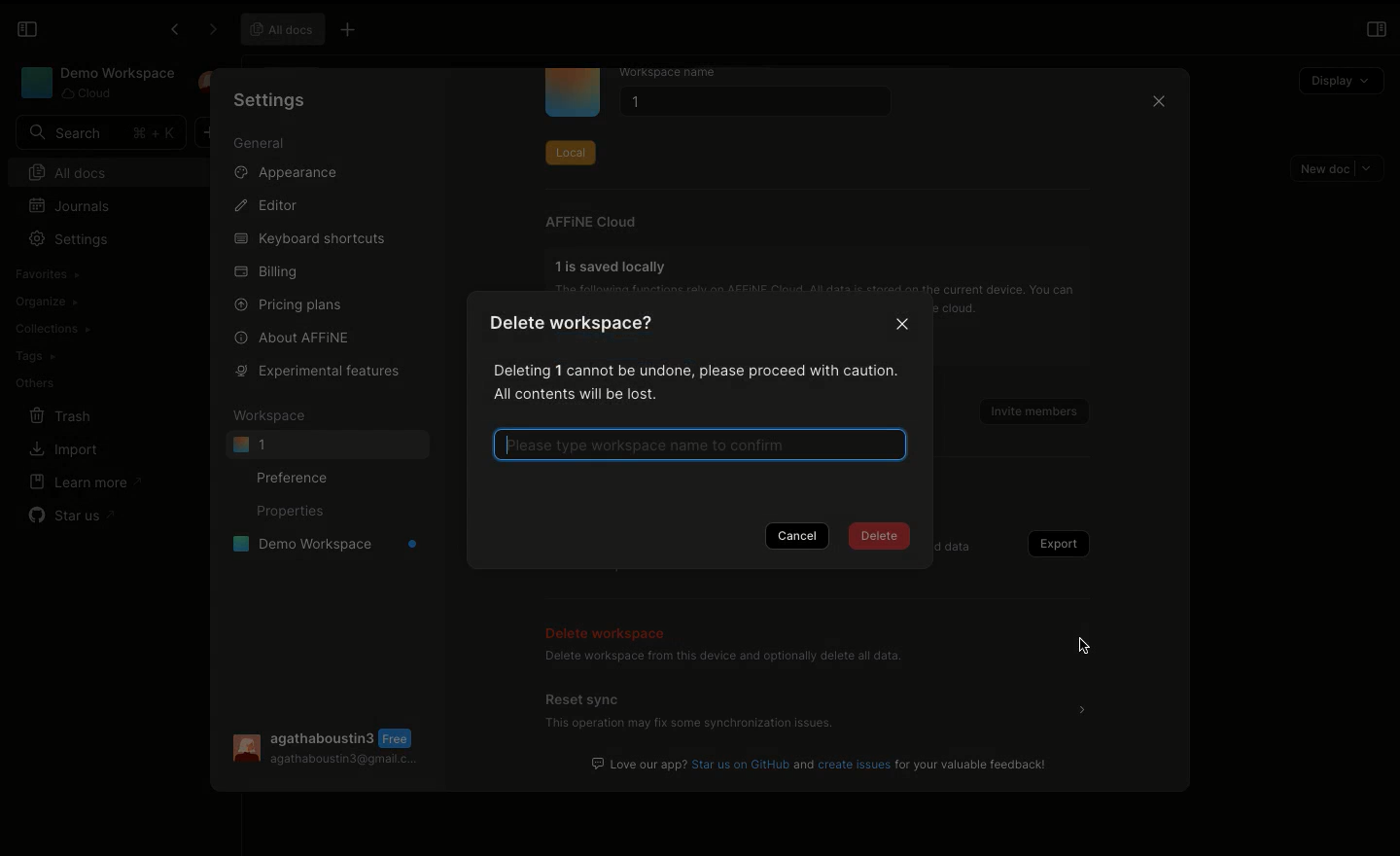 The height and width of the screenshot is (856, 1400). What do you see at coordinates (52, 329) in the screenshot?
I see `Collections` at bounding box center [52, 329].